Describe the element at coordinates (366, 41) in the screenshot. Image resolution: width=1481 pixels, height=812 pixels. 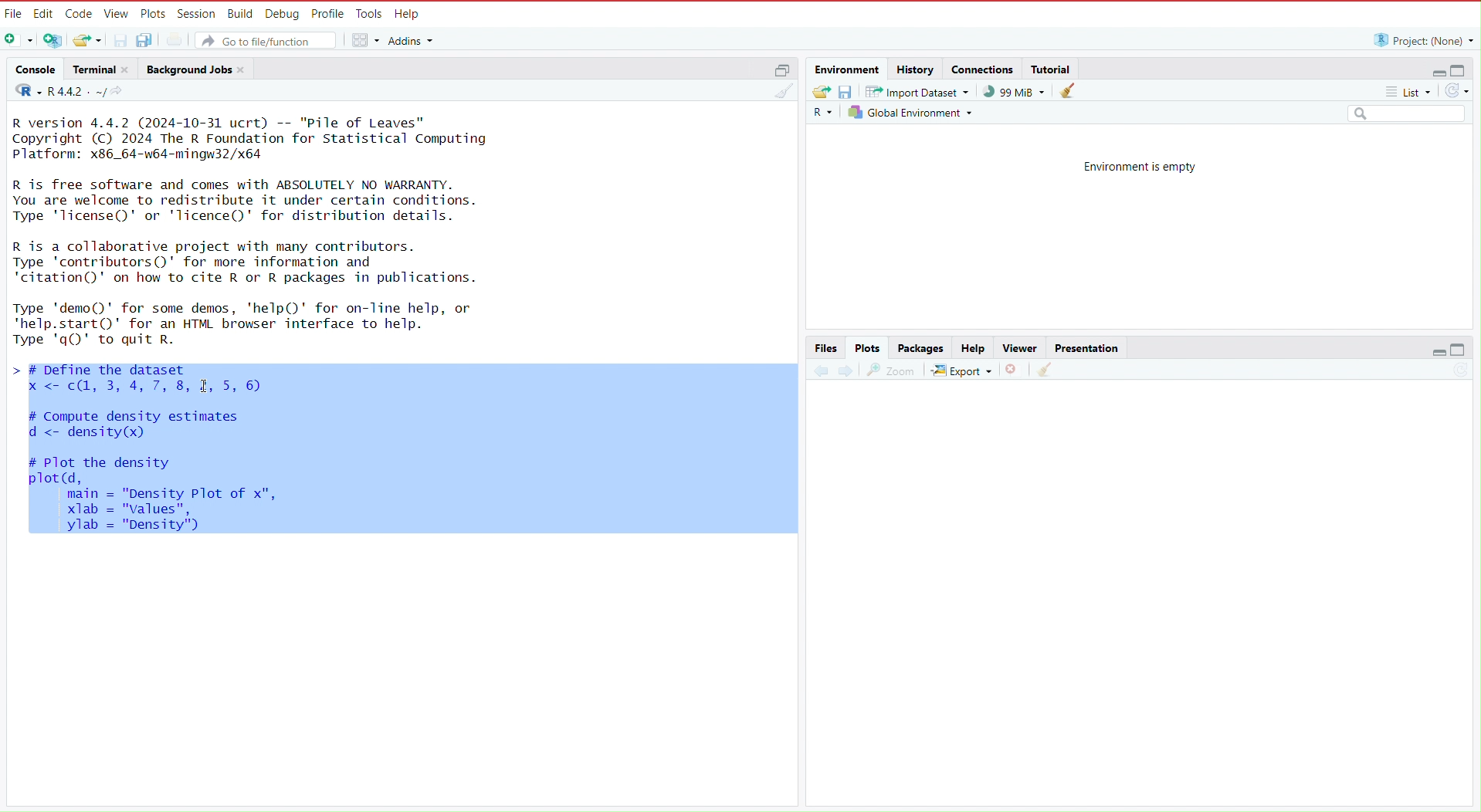
I see `workspace panes` at that location.